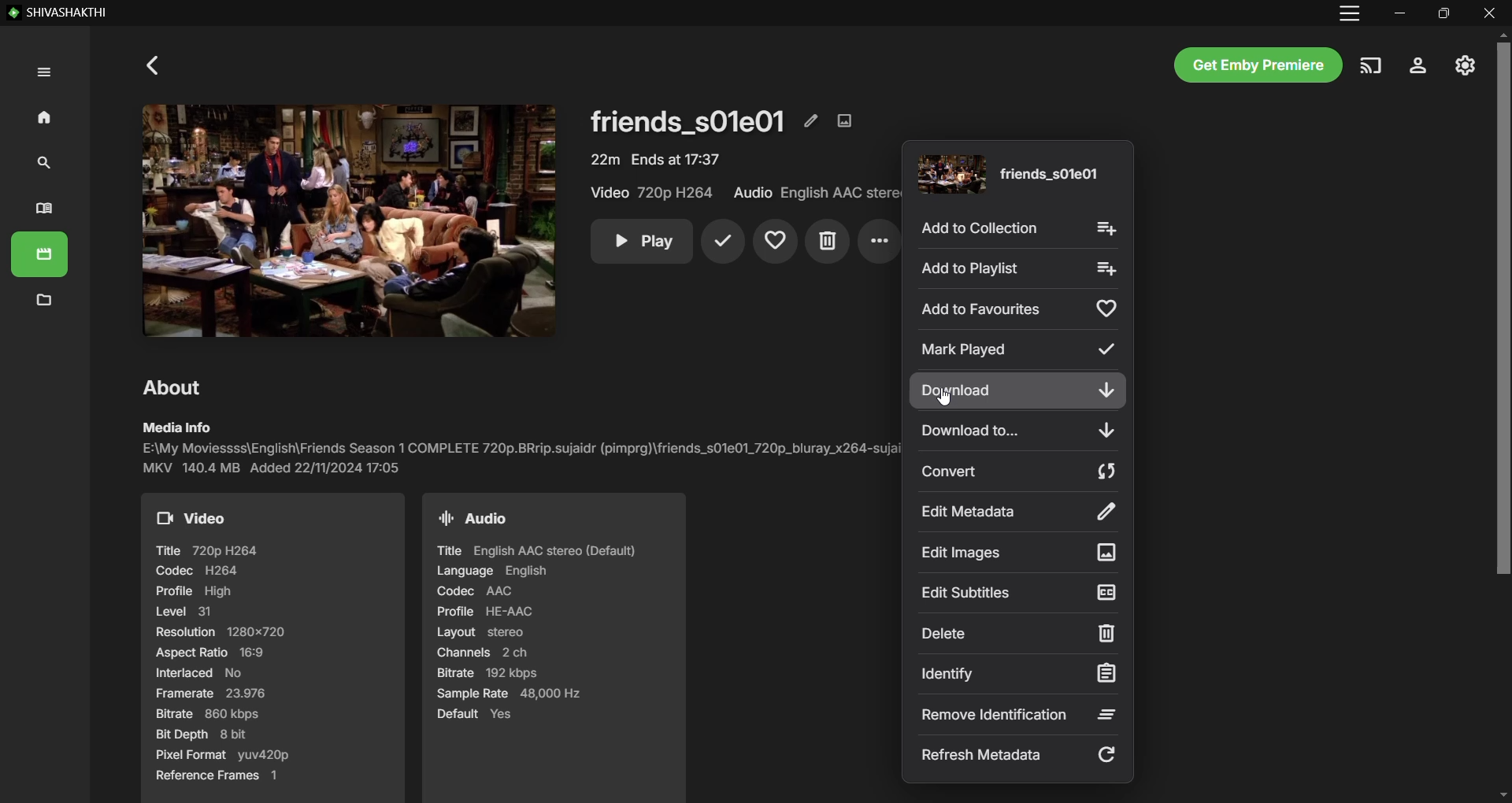  I want to click on Audio details, so click(552, 647).